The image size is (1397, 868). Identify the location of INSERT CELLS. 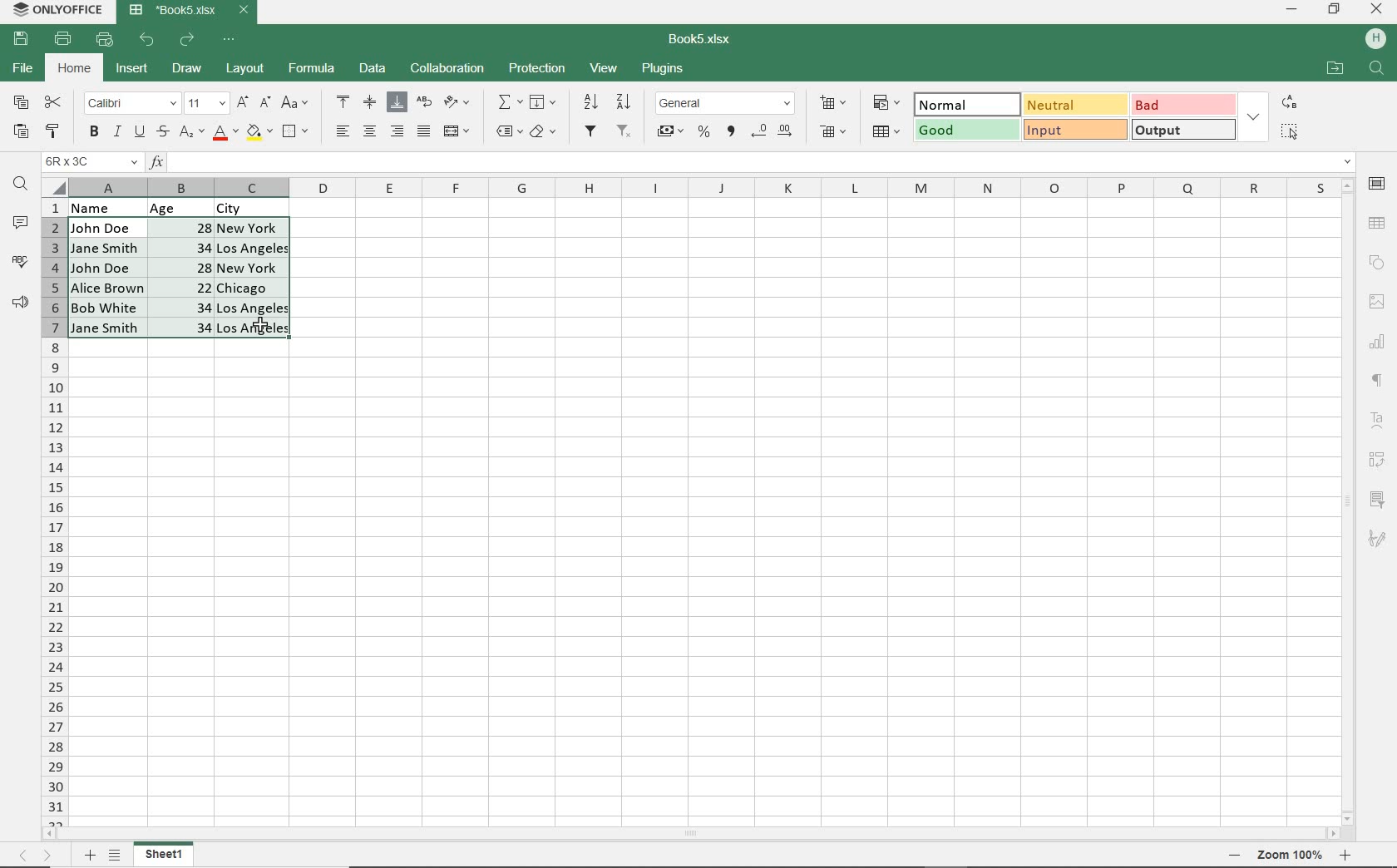
(837, 101).